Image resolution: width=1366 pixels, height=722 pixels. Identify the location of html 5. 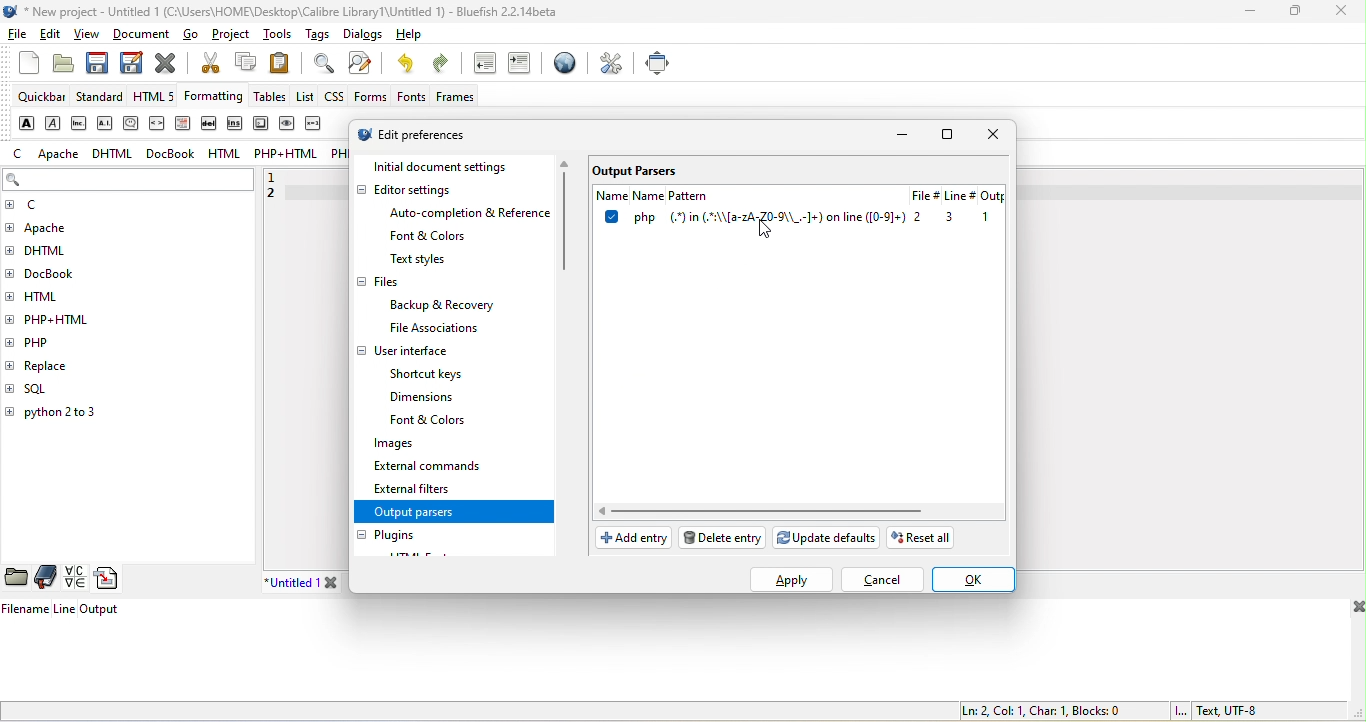
(158, 98).